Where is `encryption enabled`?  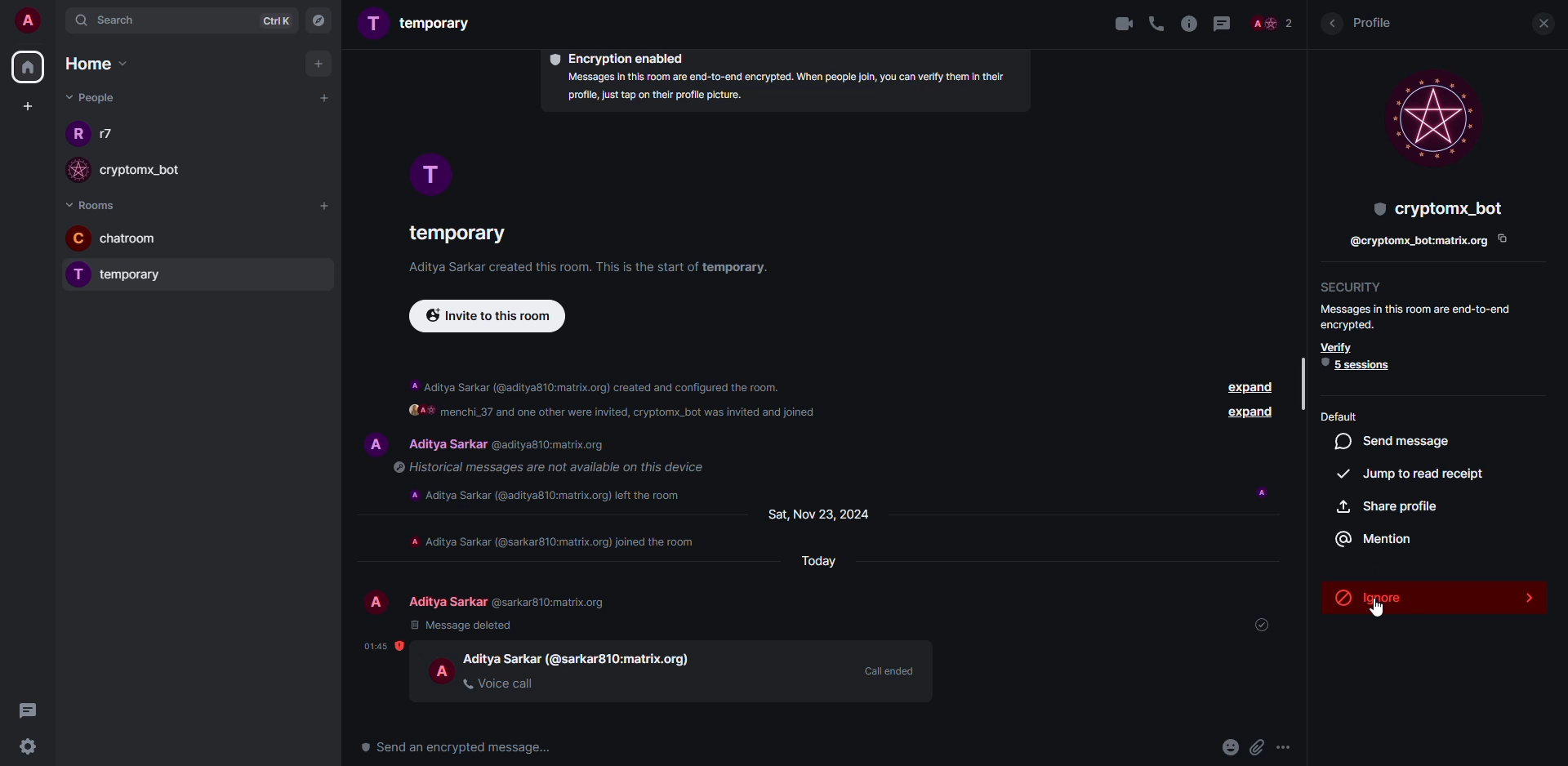 encryption enabled is located at coordinates (622, 57).